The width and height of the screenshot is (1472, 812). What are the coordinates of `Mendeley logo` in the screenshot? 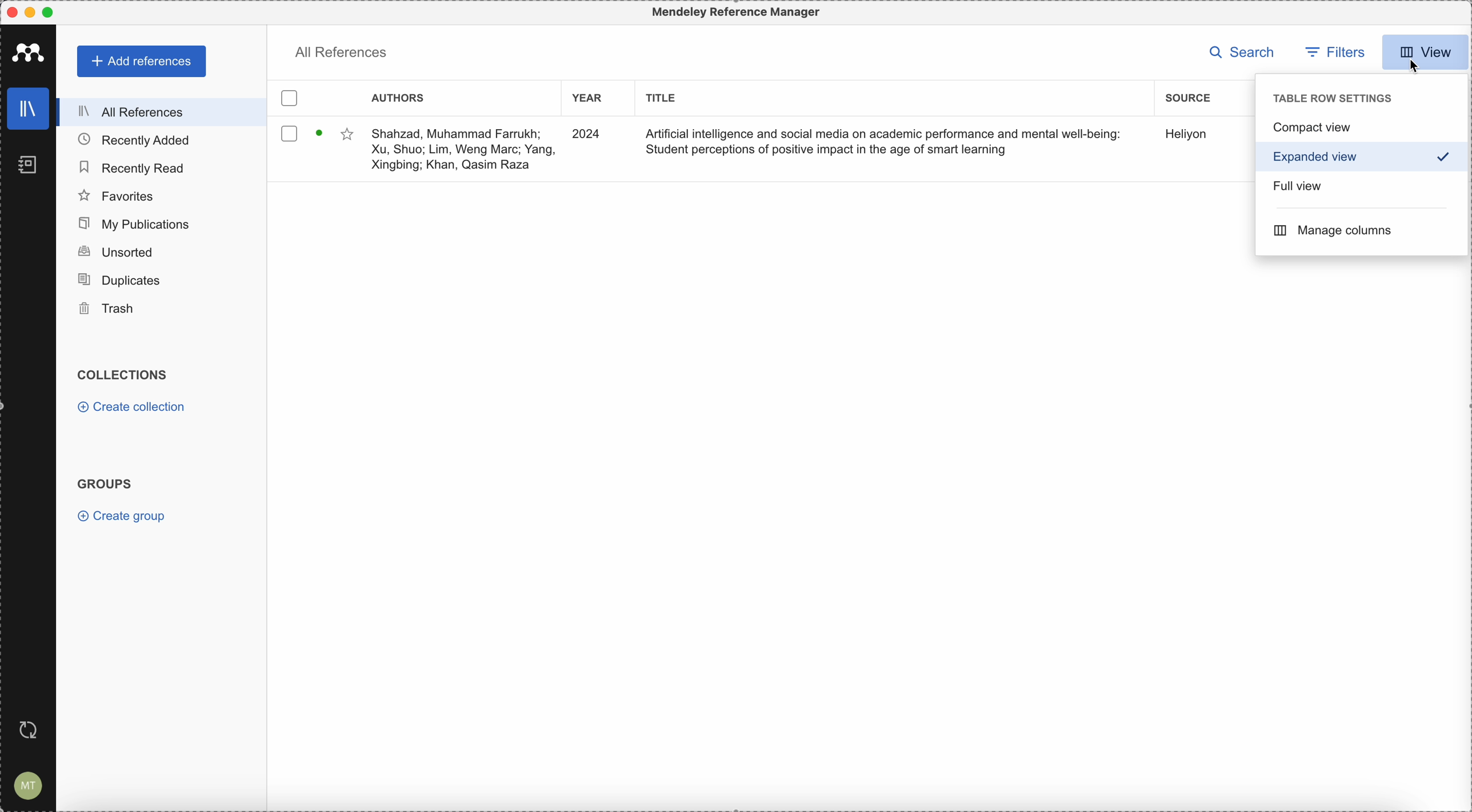 It's located at (29, 51).